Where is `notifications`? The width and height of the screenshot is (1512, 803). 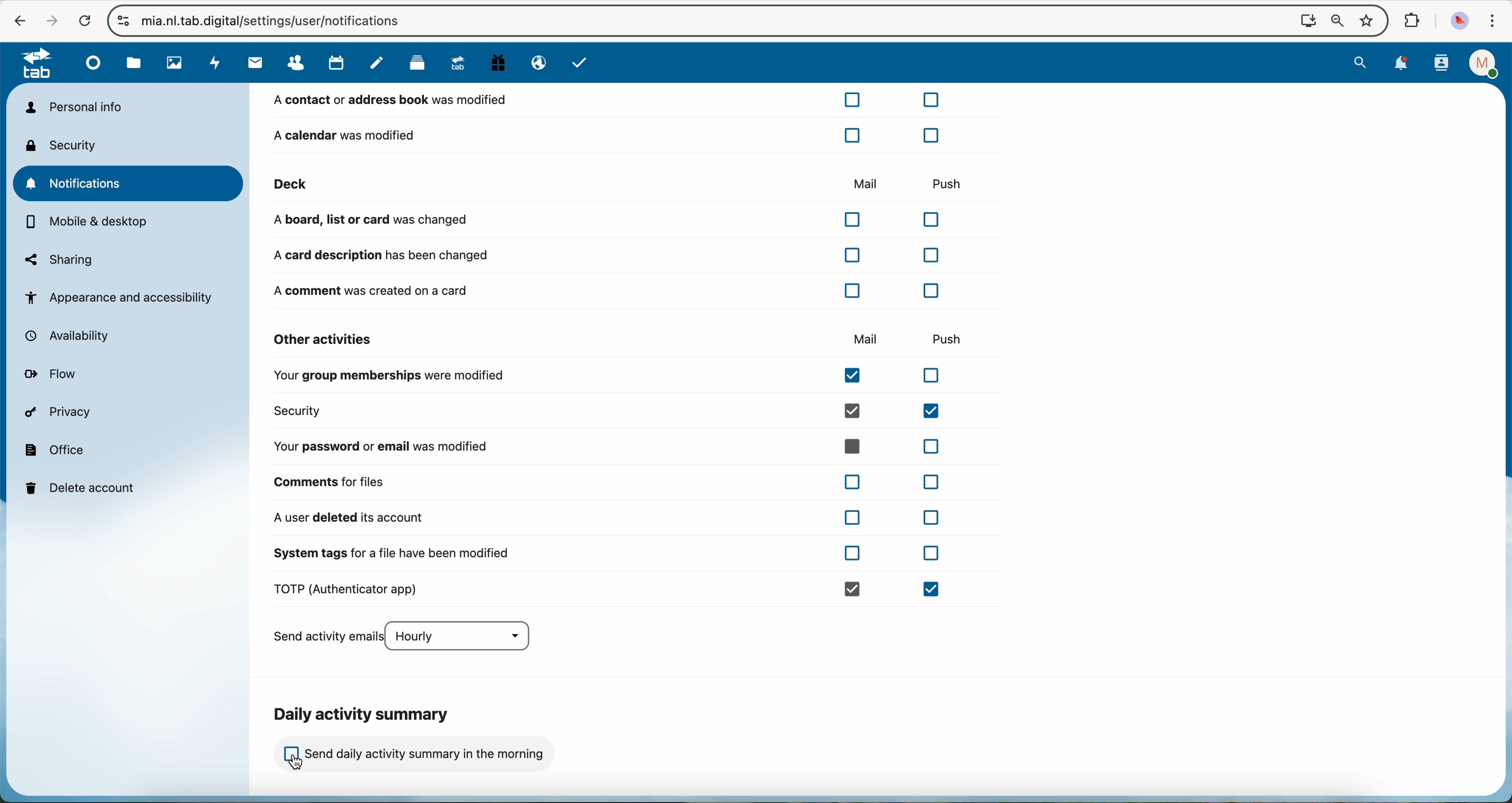
notifications is located at coordinates (1402, 63).